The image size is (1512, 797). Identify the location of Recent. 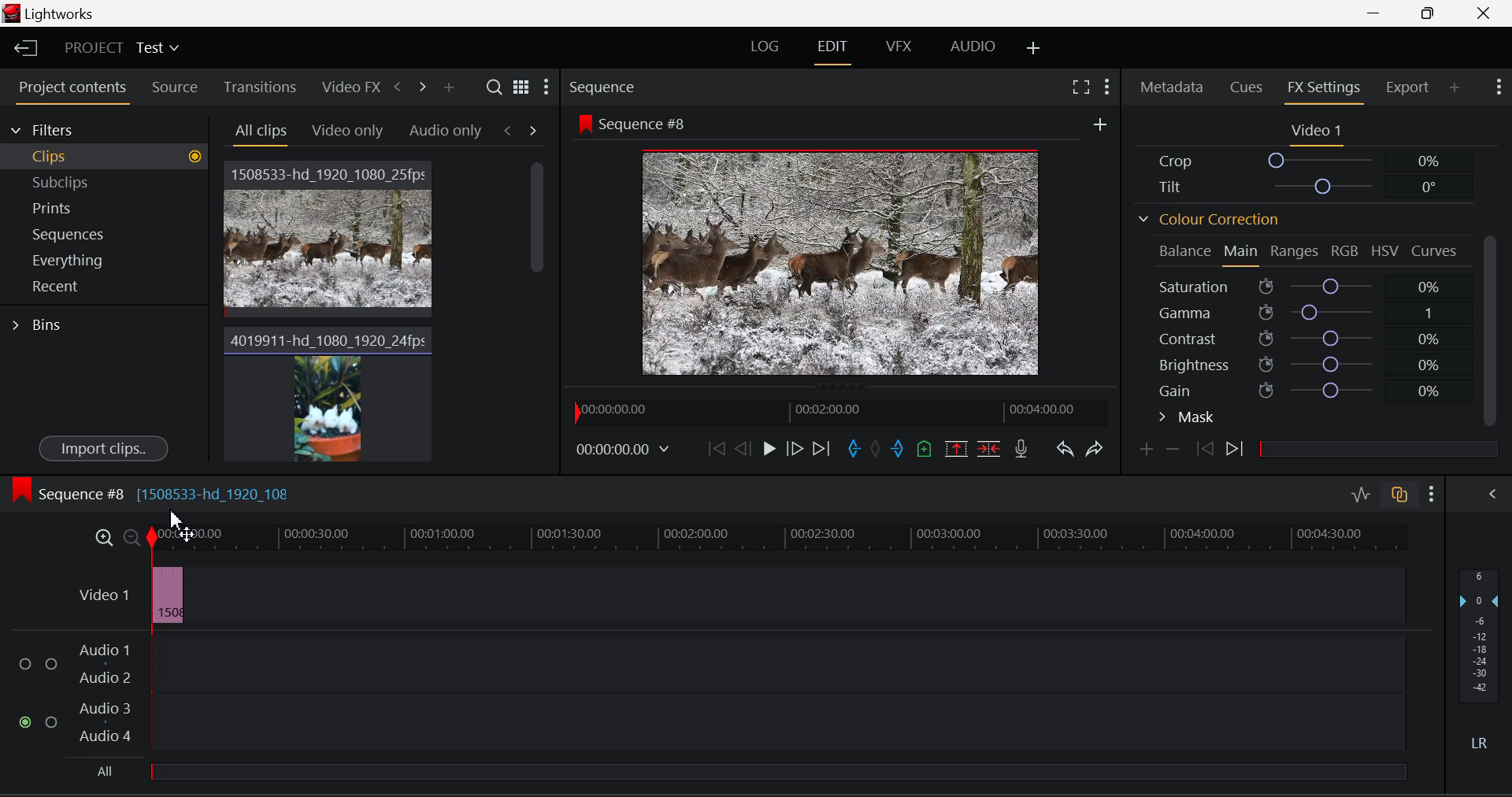
(109, 289).